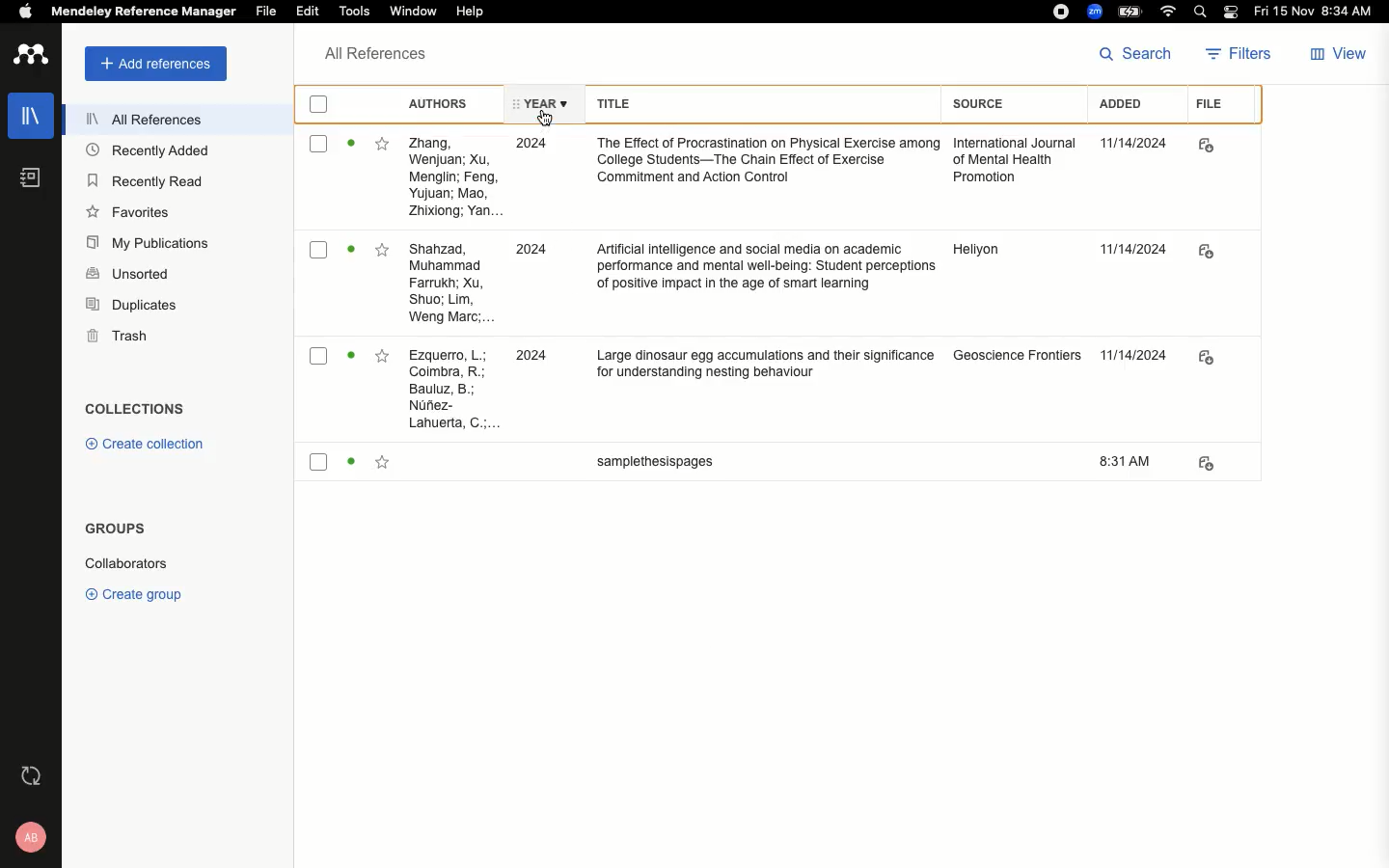 This screenshot has width=1389, height=868. I want to click on Groups, so click(110, 529).